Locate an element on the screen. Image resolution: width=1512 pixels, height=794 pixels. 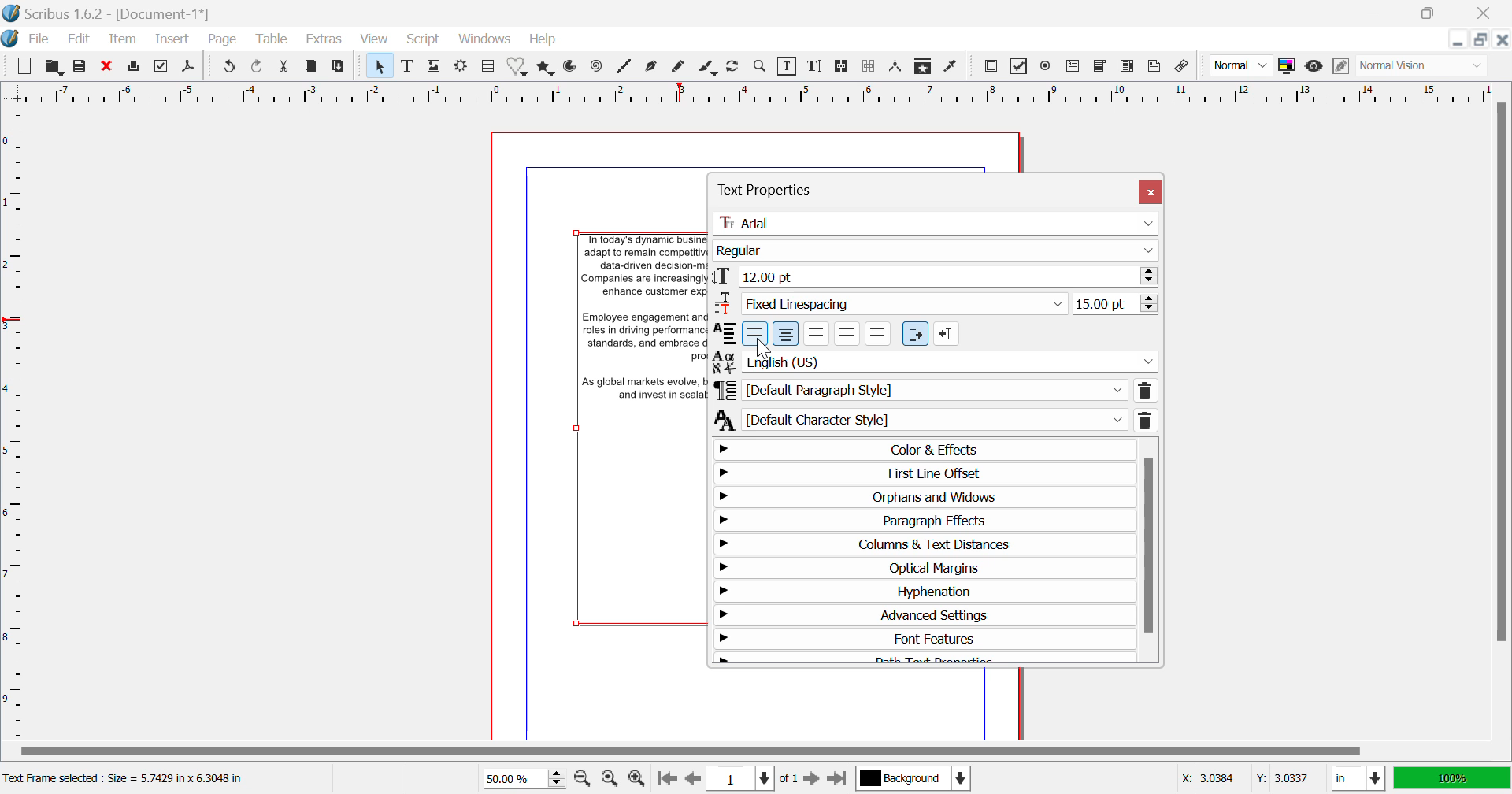
Visual Appearance of display is located at coordinates (1421, 65).